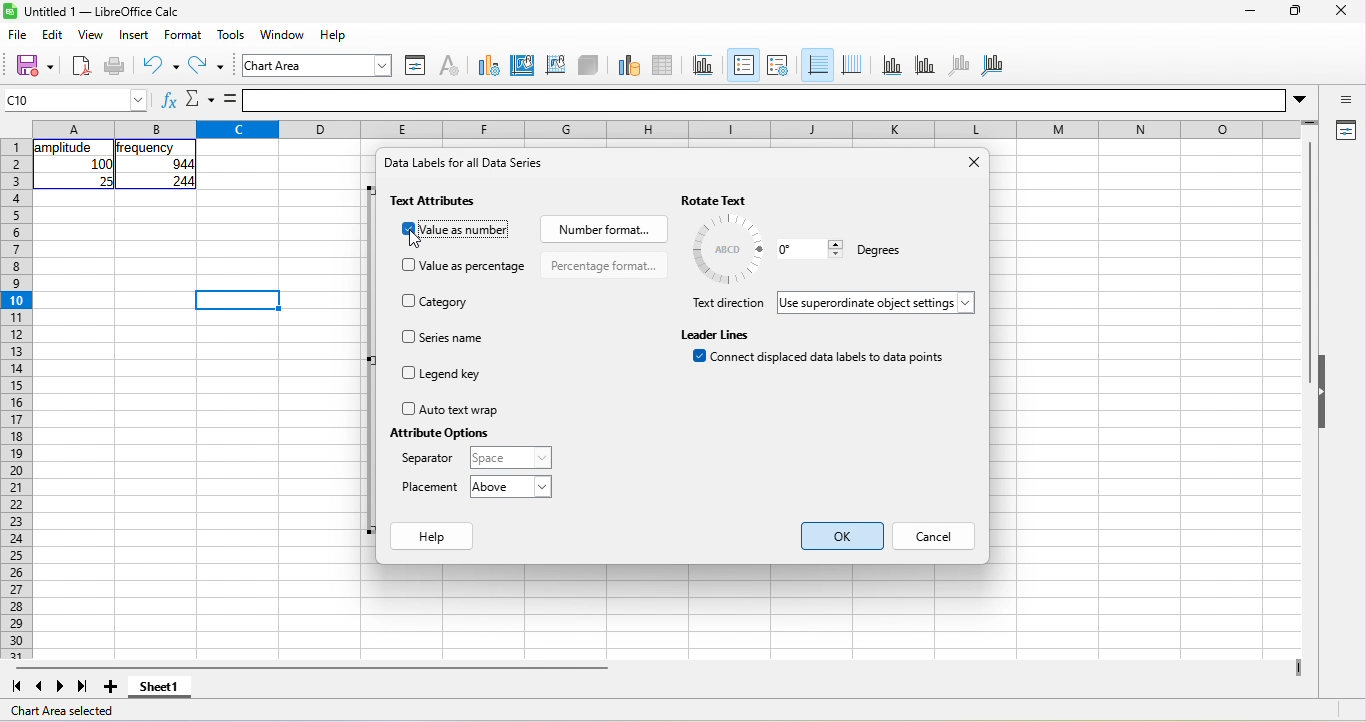 The width and height of the screenshot is (1366, 722). I want to click on title, so click(707, 65).